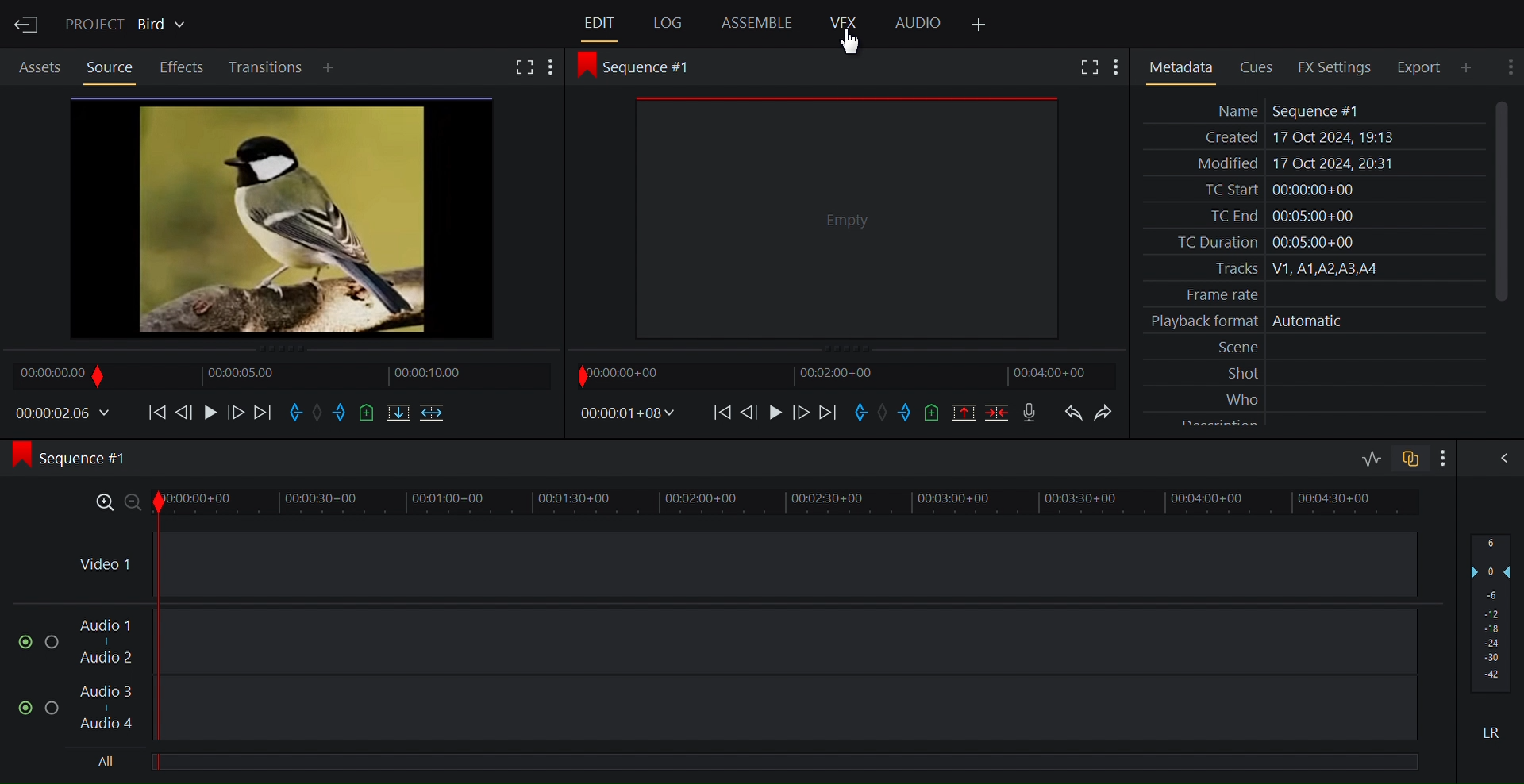  What do you see at coordinates (742, 643) in the screenshot?
I see `Audio Track 1, Audio Track 2` at bounding box center [742, 643].